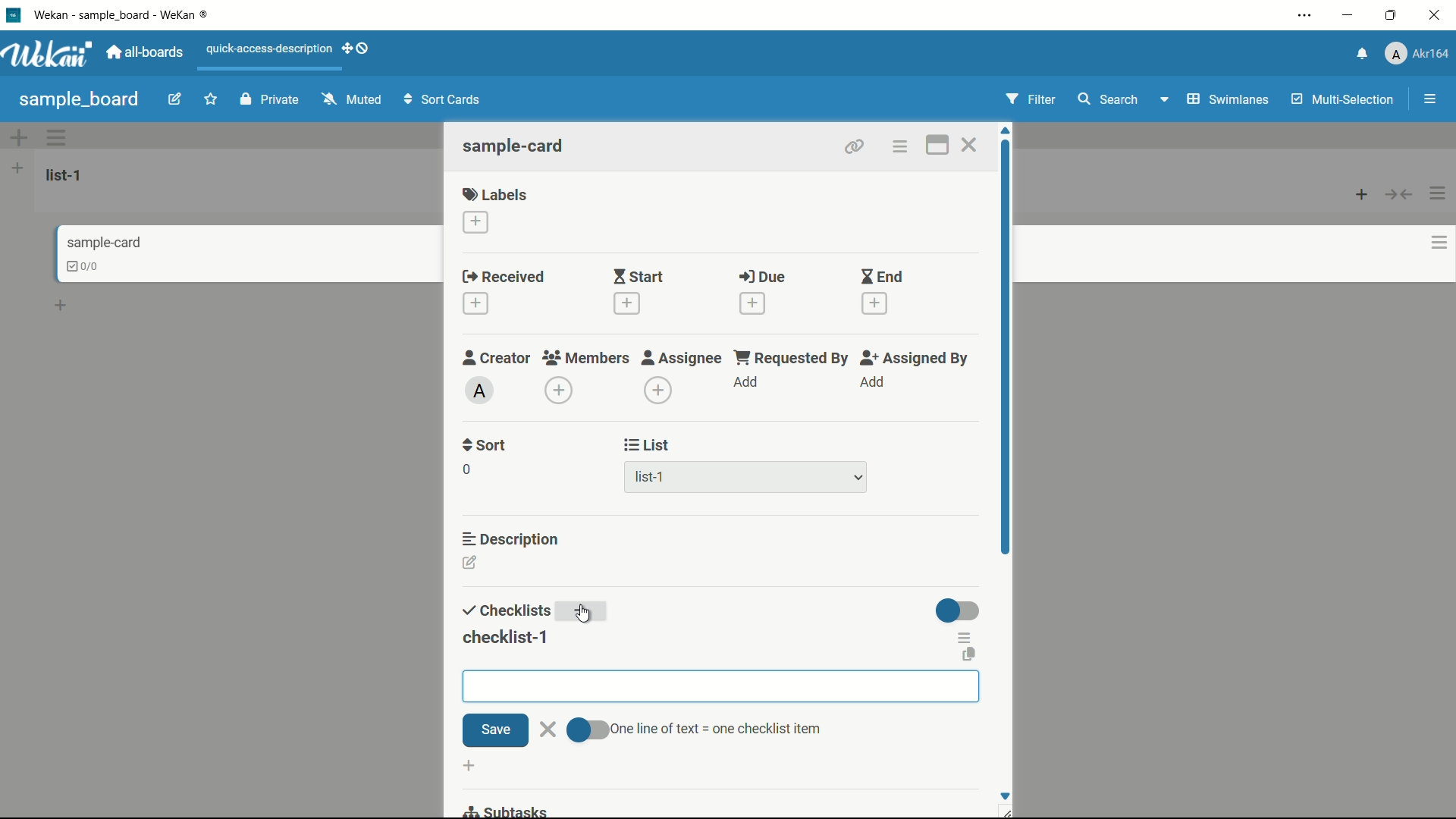 This screenshot has height=819, width=1456. Describe the element at coordinates (1400, 194) in the screenshot. I see `collapse` at that location.